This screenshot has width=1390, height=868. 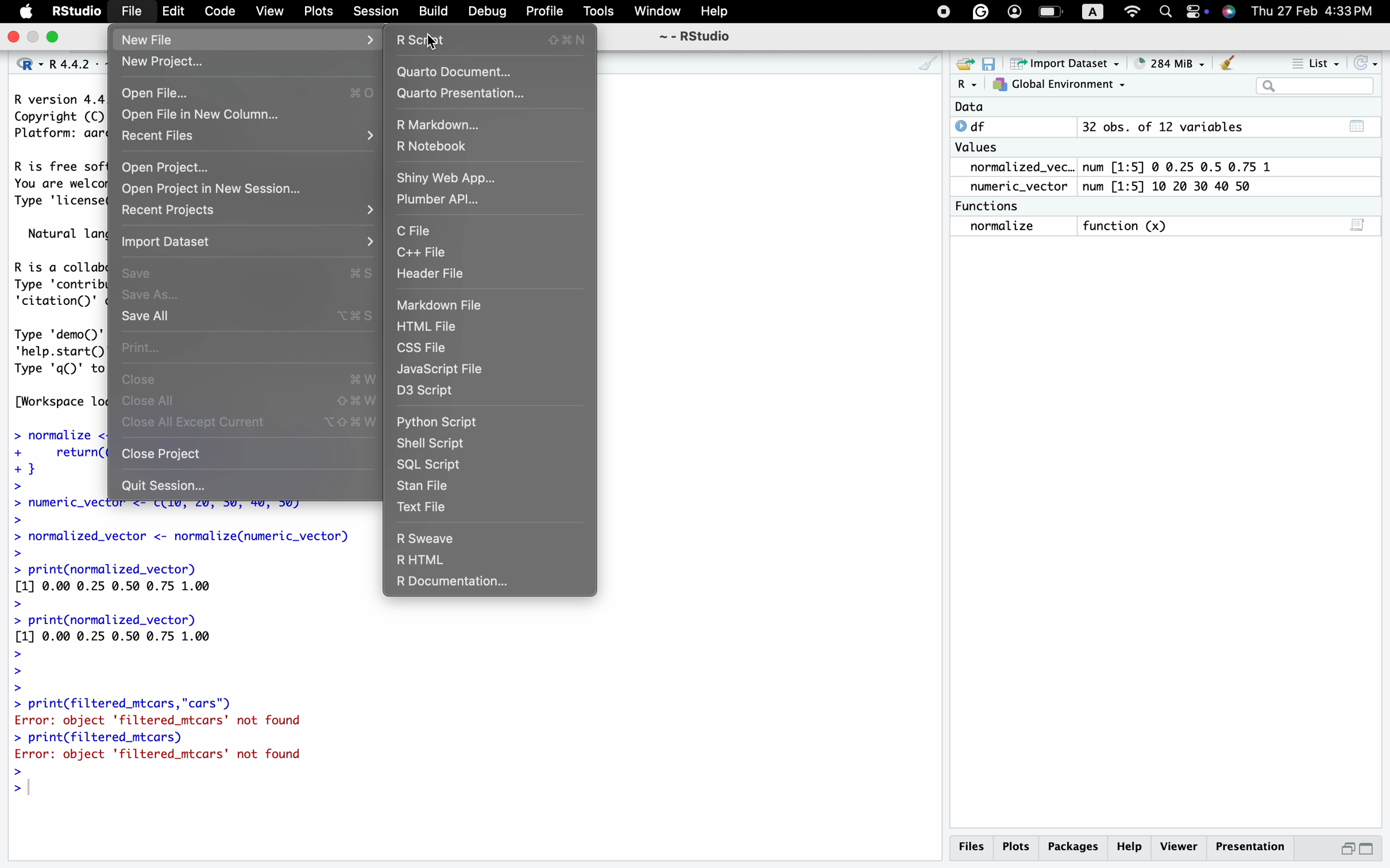 I want to click on Quit Session..., so click(x=164, y=486).